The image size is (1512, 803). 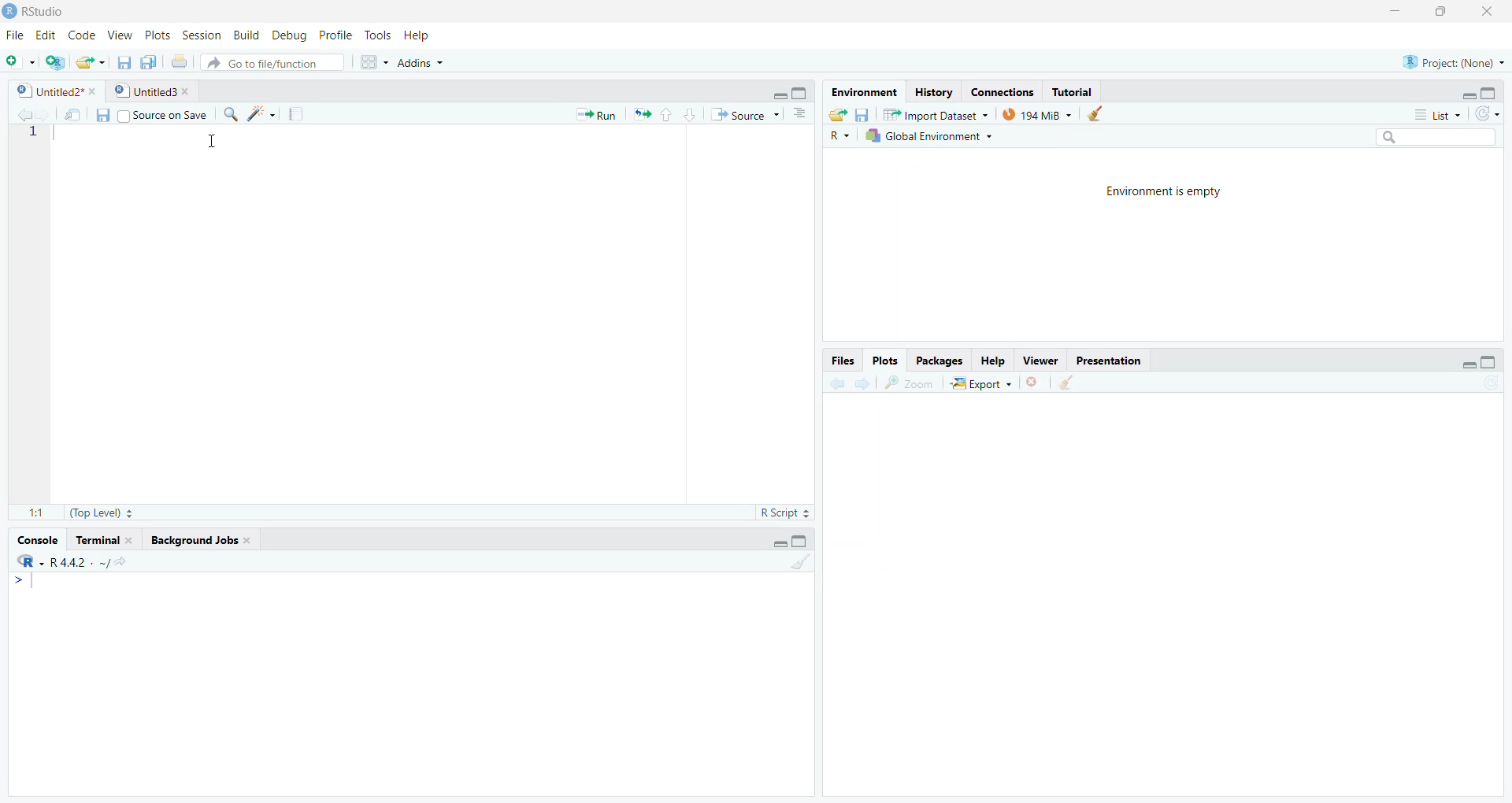 What do you see at coordinates (783, 512) in the screenshot?
I see `R Script ` at bounding box center [783, 512].